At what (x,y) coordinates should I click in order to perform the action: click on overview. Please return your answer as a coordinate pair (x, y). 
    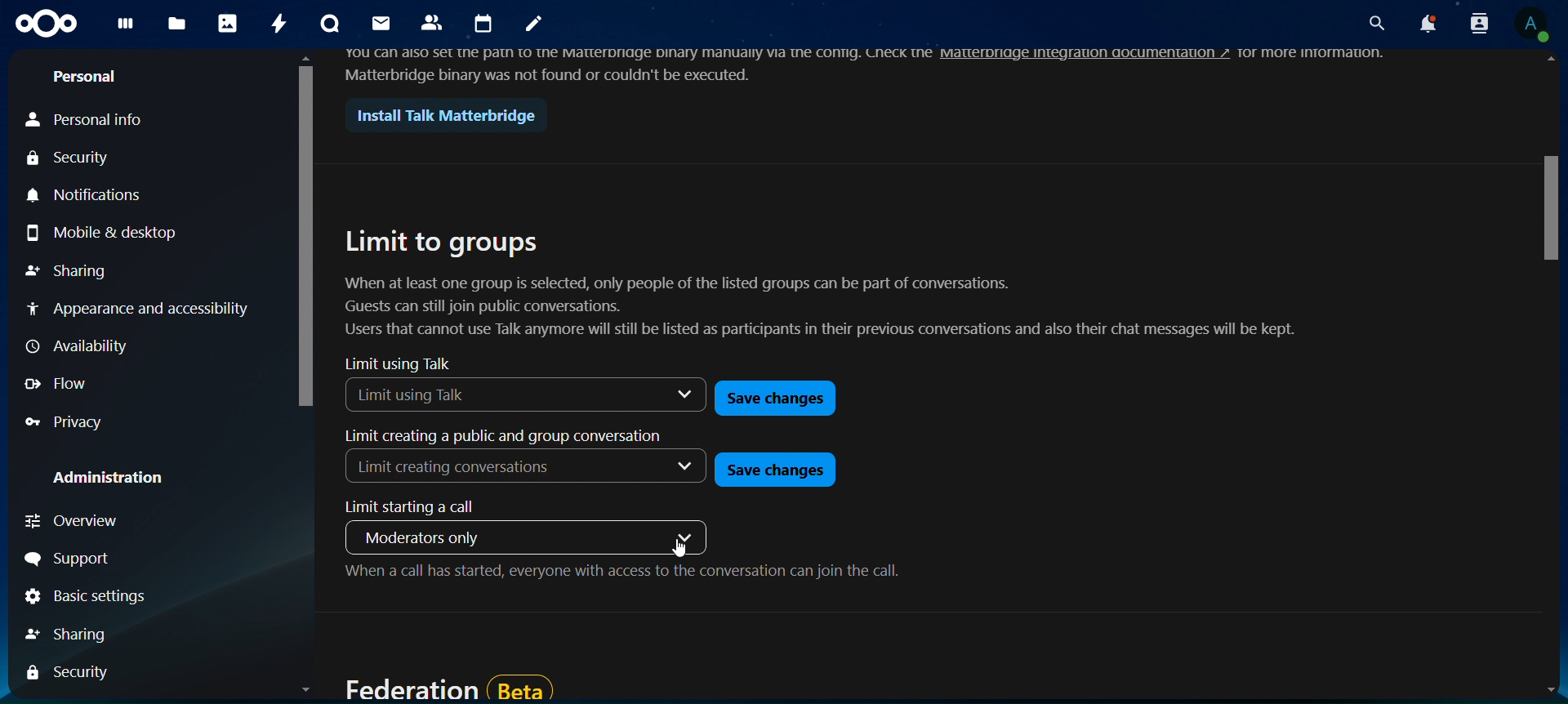
    Looking at the image, I should click on (77, 520).